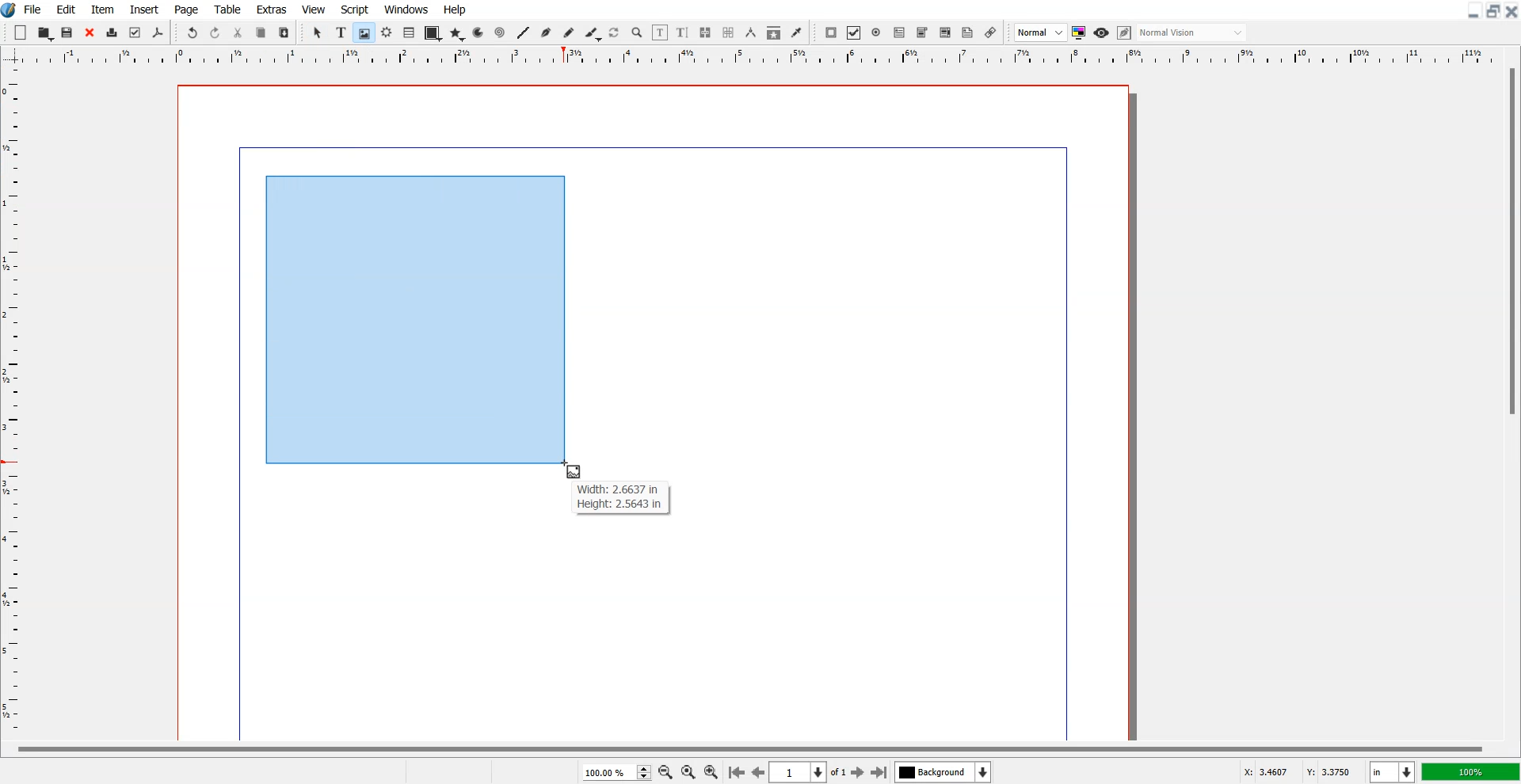 Image resolution: width=1521 pixels, height=784 pixels. What do you see at coordinates (33, 9) in the screenshot?
I see `File` at bounding box center [33, 9].